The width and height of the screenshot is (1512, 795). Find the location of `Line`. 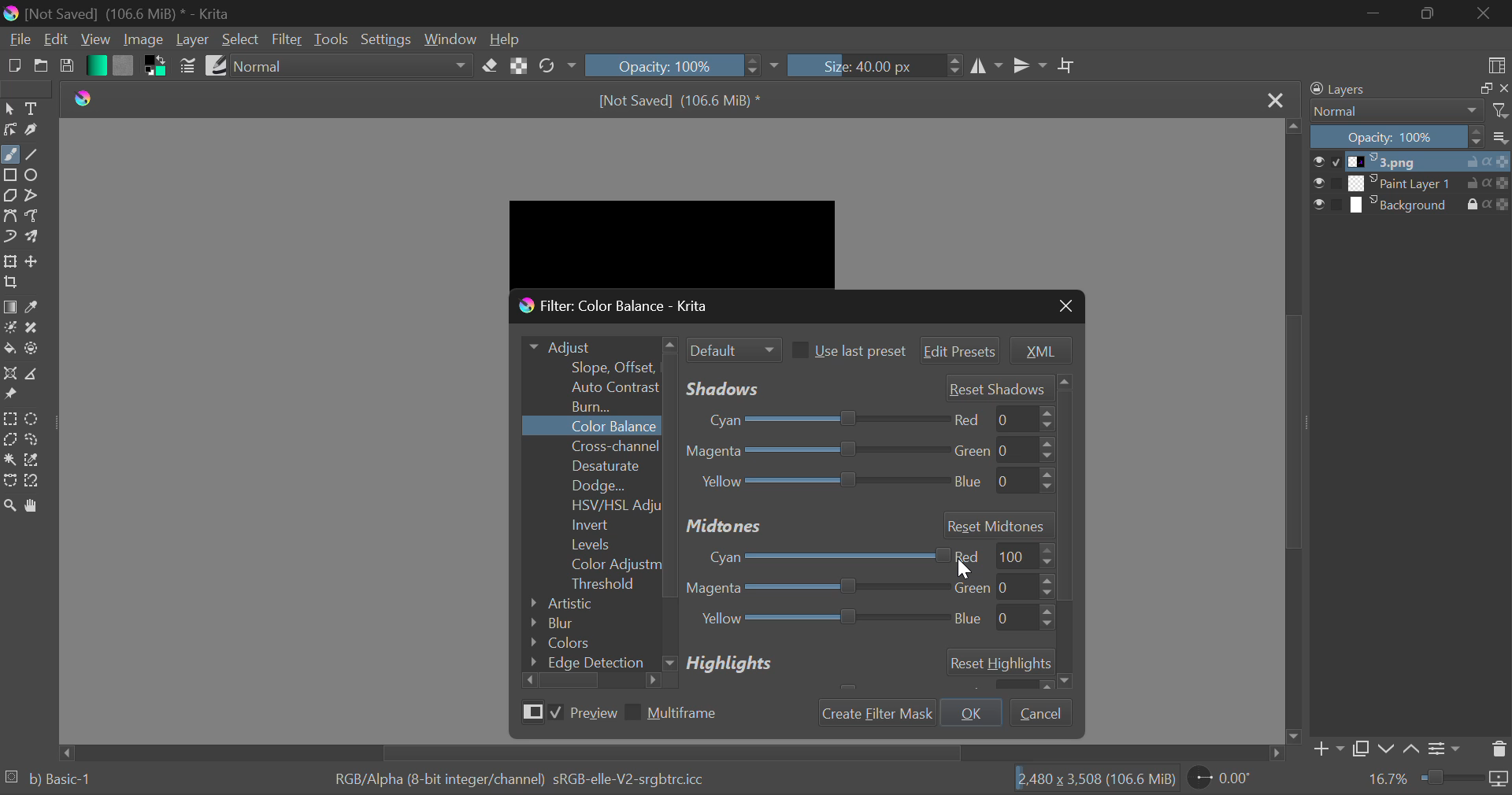

Line is located at coordinates (35, 155).